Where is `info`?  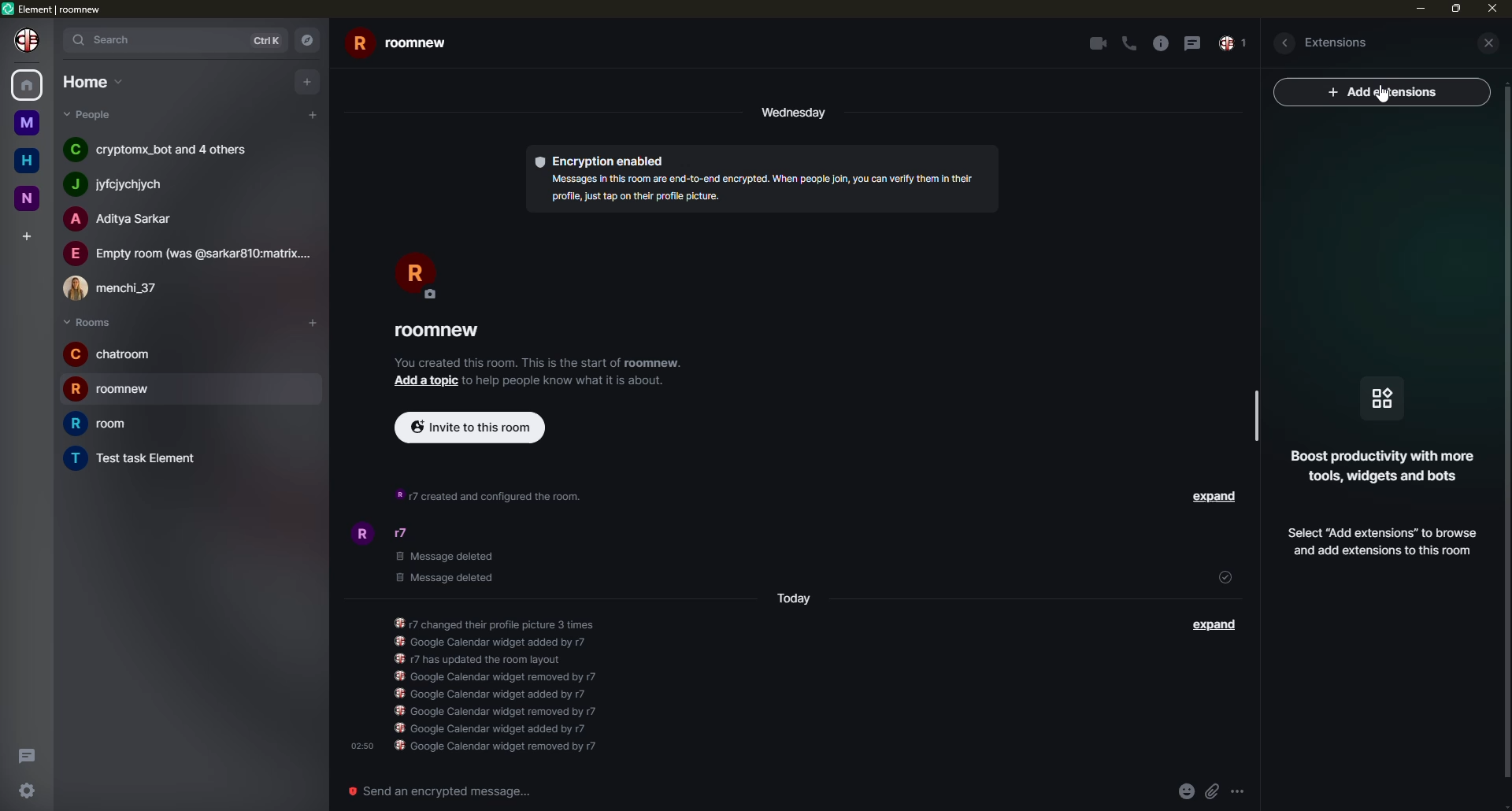
info is located at coordinates (1162, 44).